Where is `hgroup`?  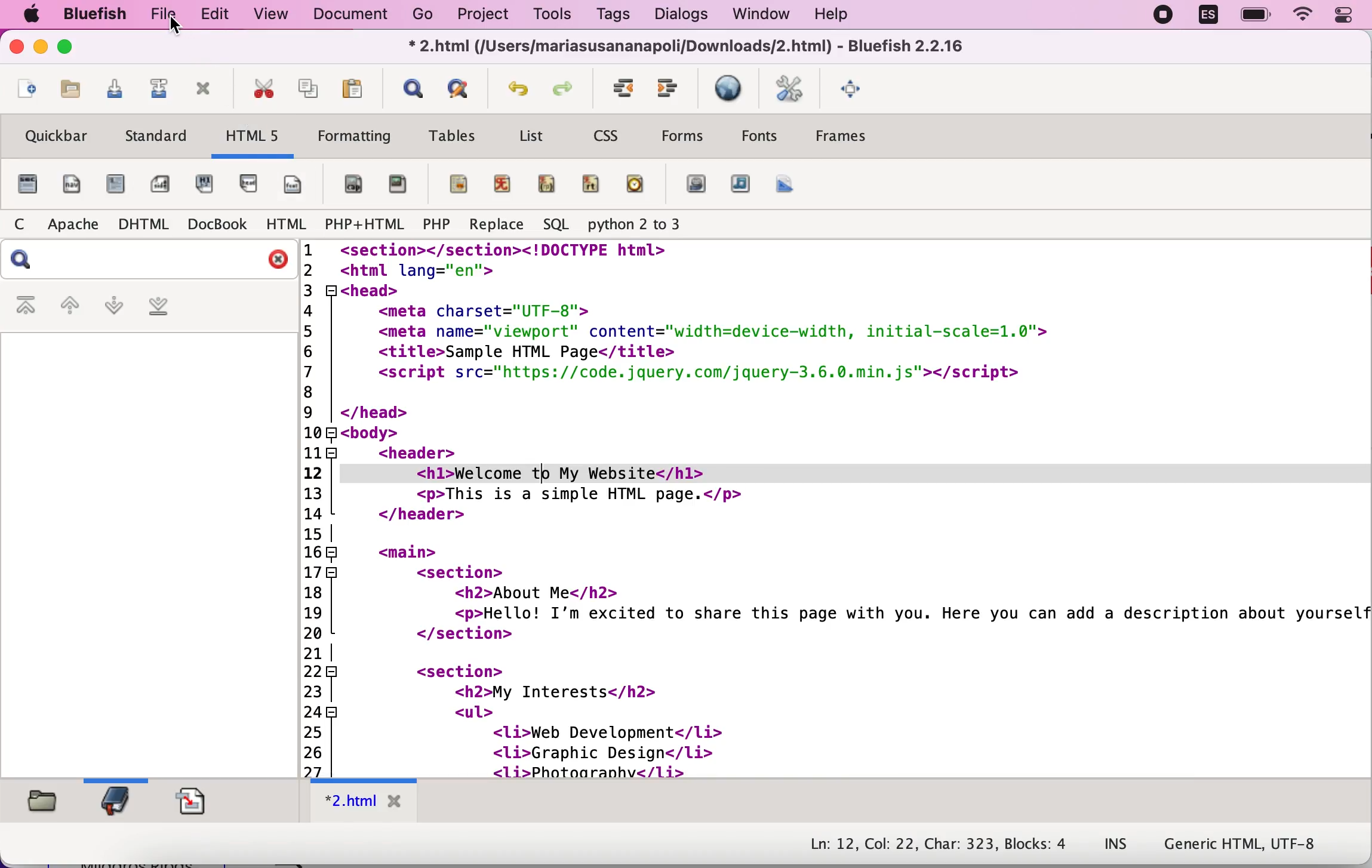 hgroup is located at coordinates (205, 184).